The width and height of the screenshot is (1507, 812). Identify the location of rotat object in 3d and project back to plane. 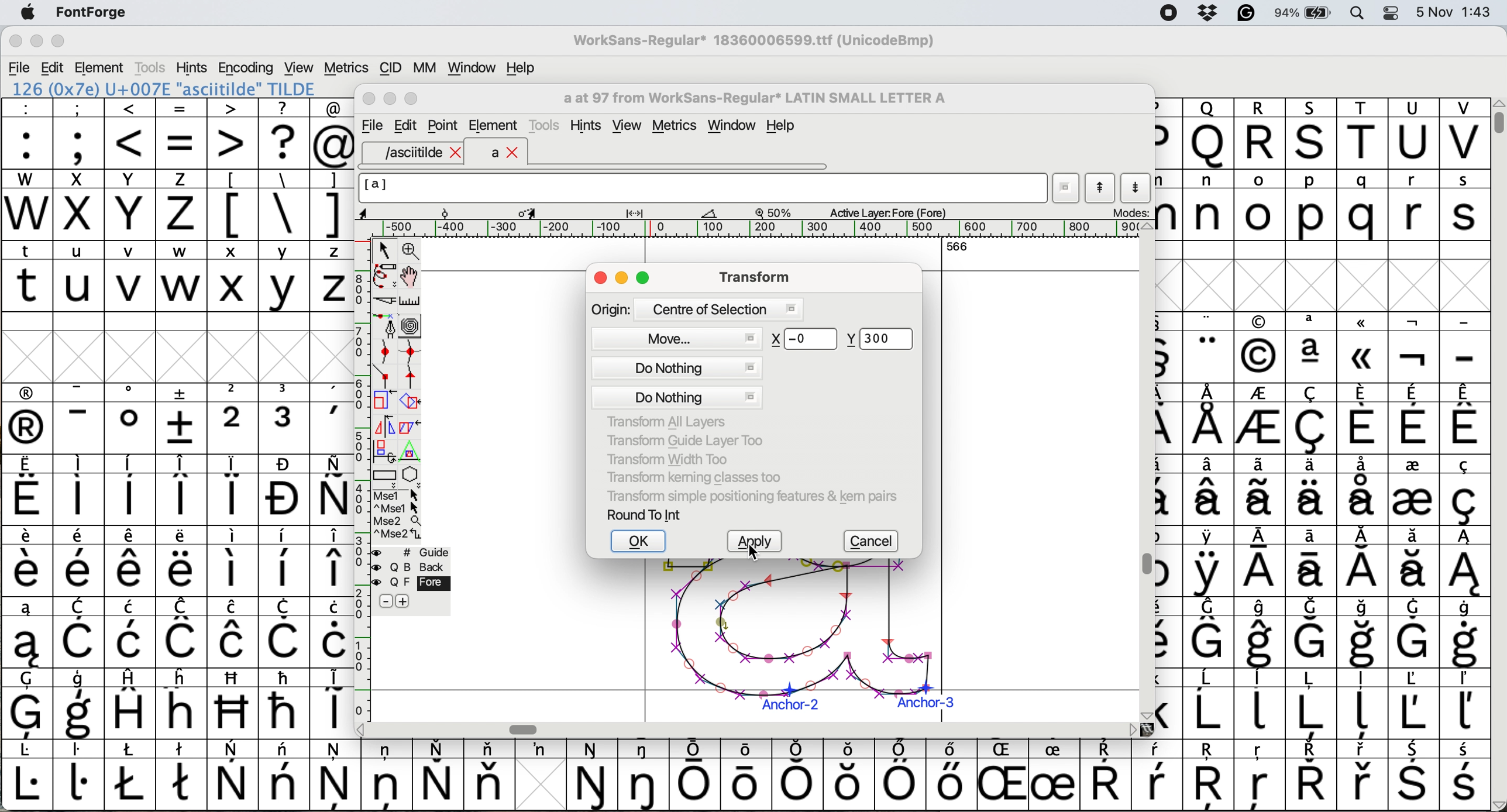
(383, 450).